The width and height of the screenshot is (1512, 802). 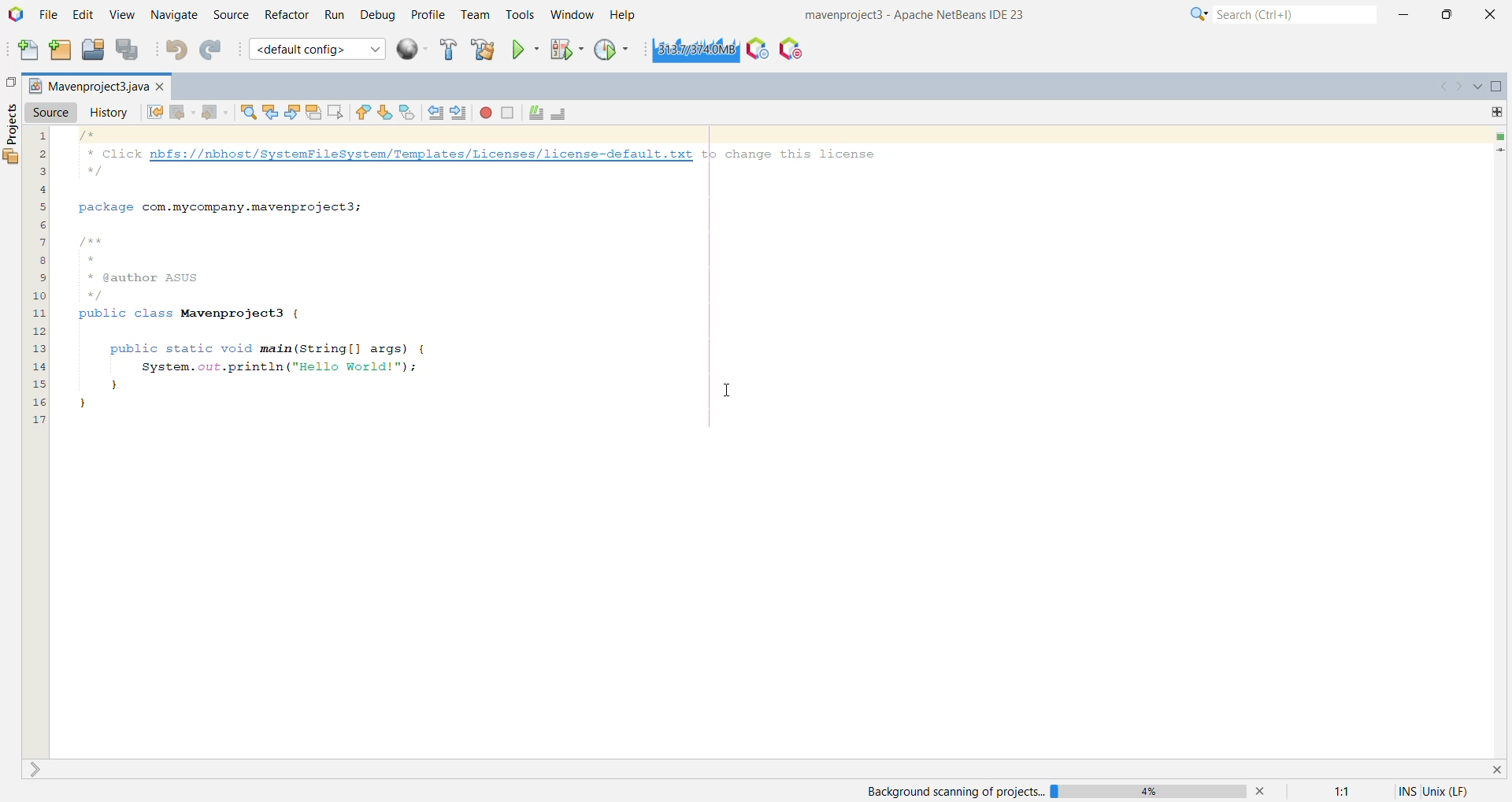 I want to click on New project name, so click(x=89, y=85).